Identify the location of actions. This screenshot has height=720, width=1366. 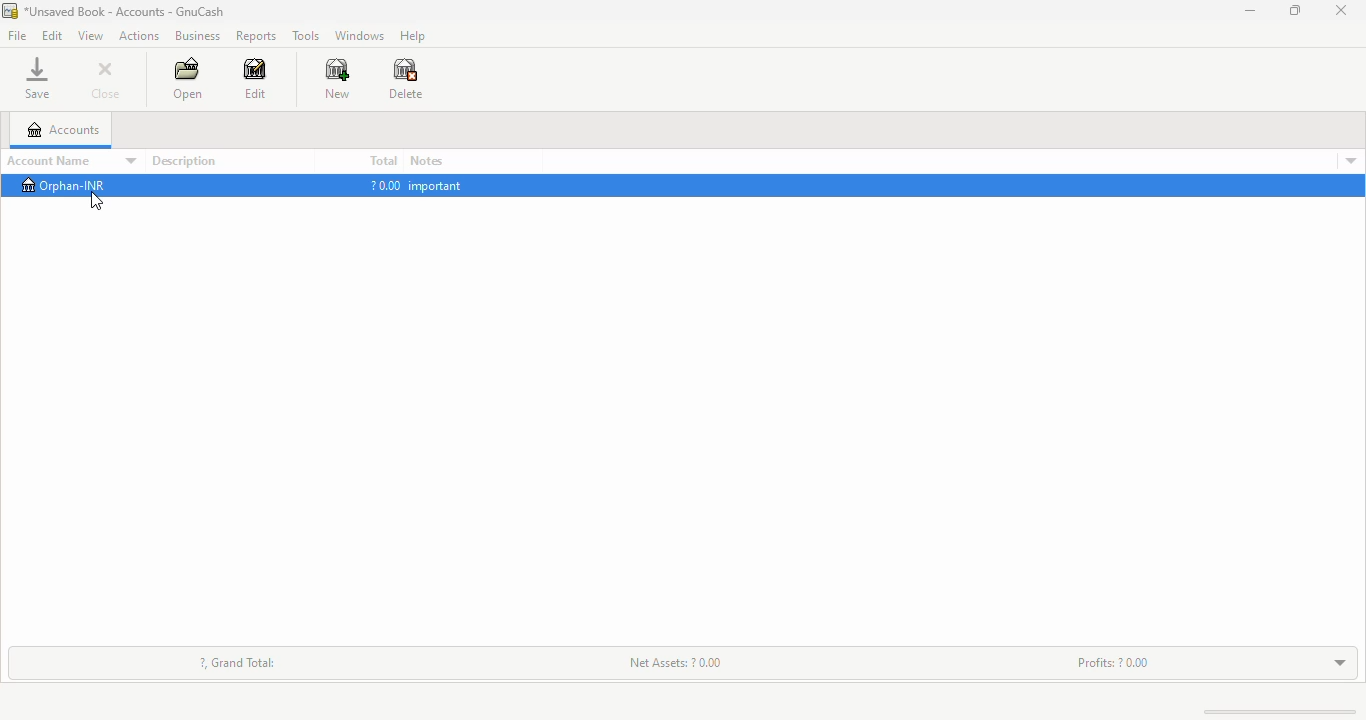
(140, 36).